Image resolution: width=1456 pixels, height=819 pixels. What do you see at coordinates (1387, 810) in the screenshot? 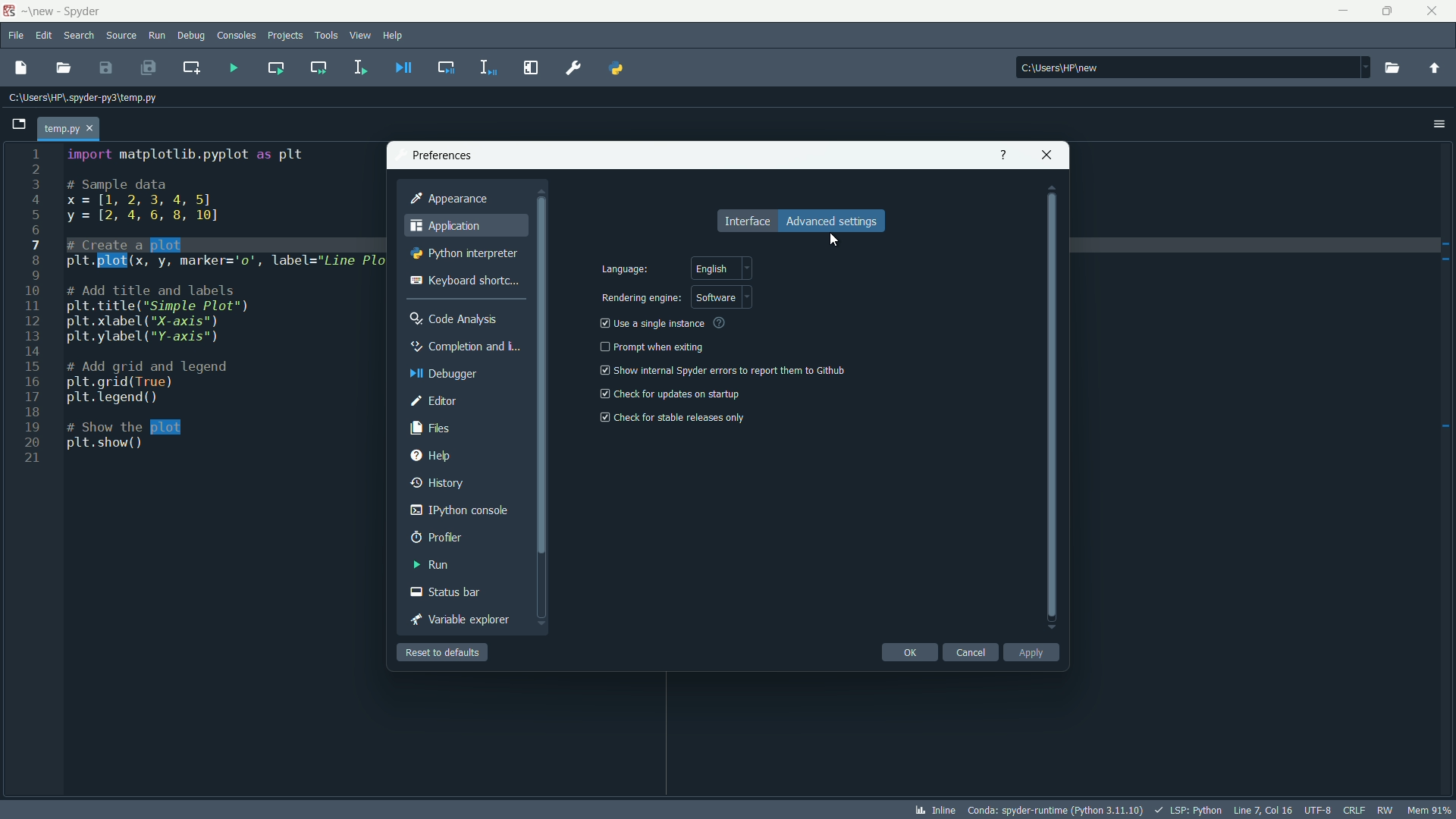
I see `rw` at bounding box center [1387, 810].